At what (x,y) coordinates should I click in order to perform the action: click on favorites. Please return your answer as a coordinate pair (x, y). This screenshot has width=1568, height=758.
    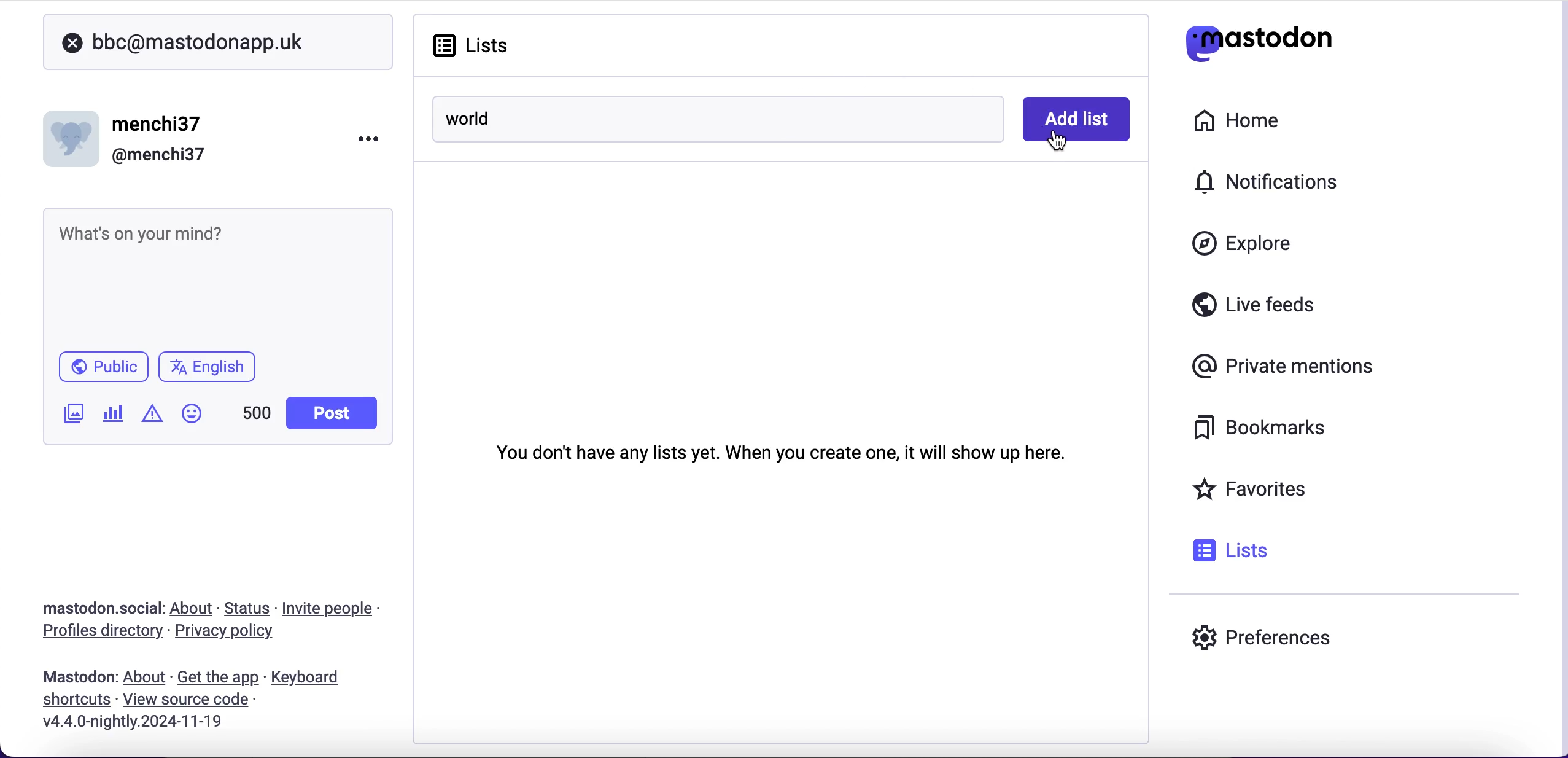
    Looking at the image, I should click on (1254, 491).